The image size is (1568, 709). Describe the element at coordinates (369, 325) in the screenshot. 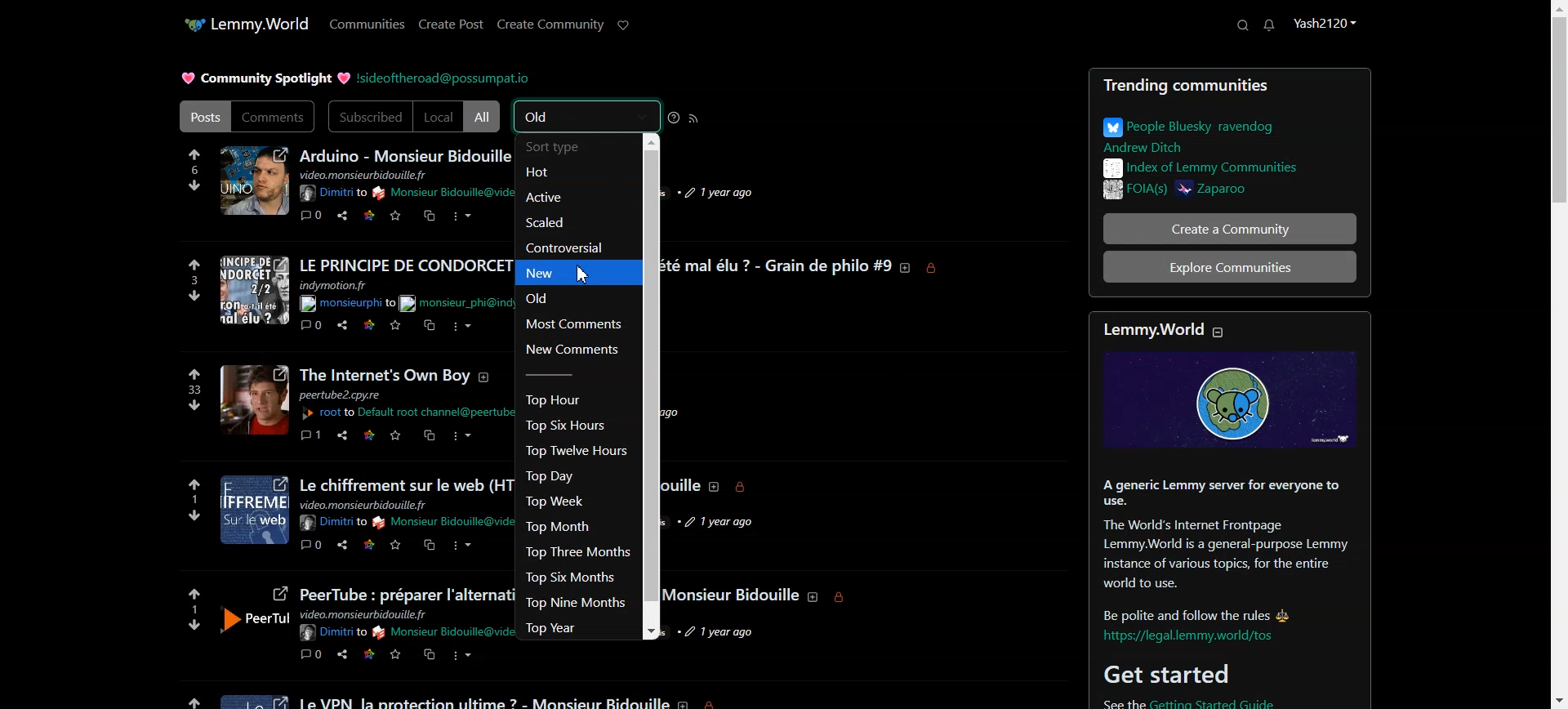

I see `` at that location.